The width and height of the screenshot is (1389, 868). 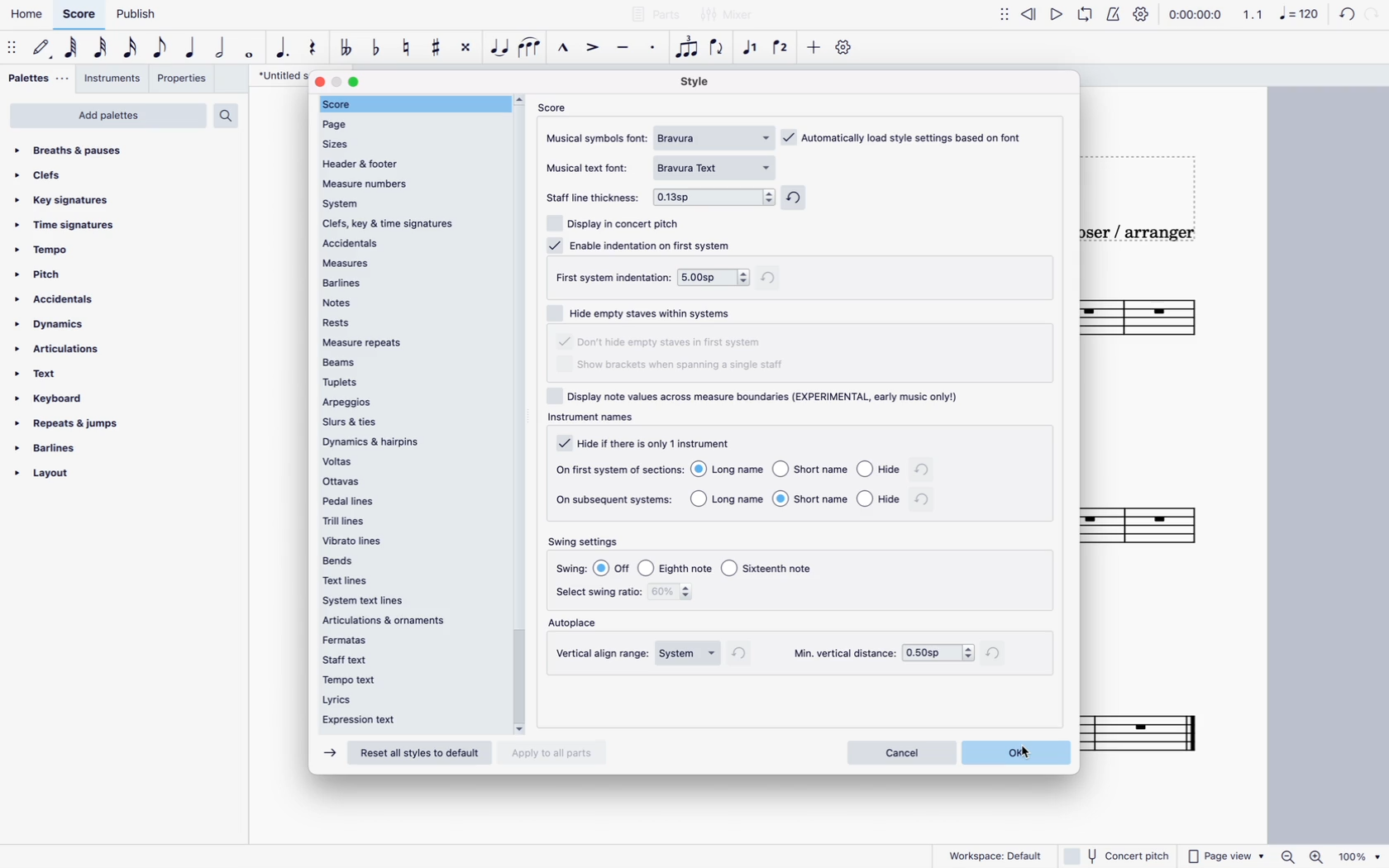 What do you see at coordinates (1030, 11) in the screenshot?
I see `back` at bounding box center [1030, 11].